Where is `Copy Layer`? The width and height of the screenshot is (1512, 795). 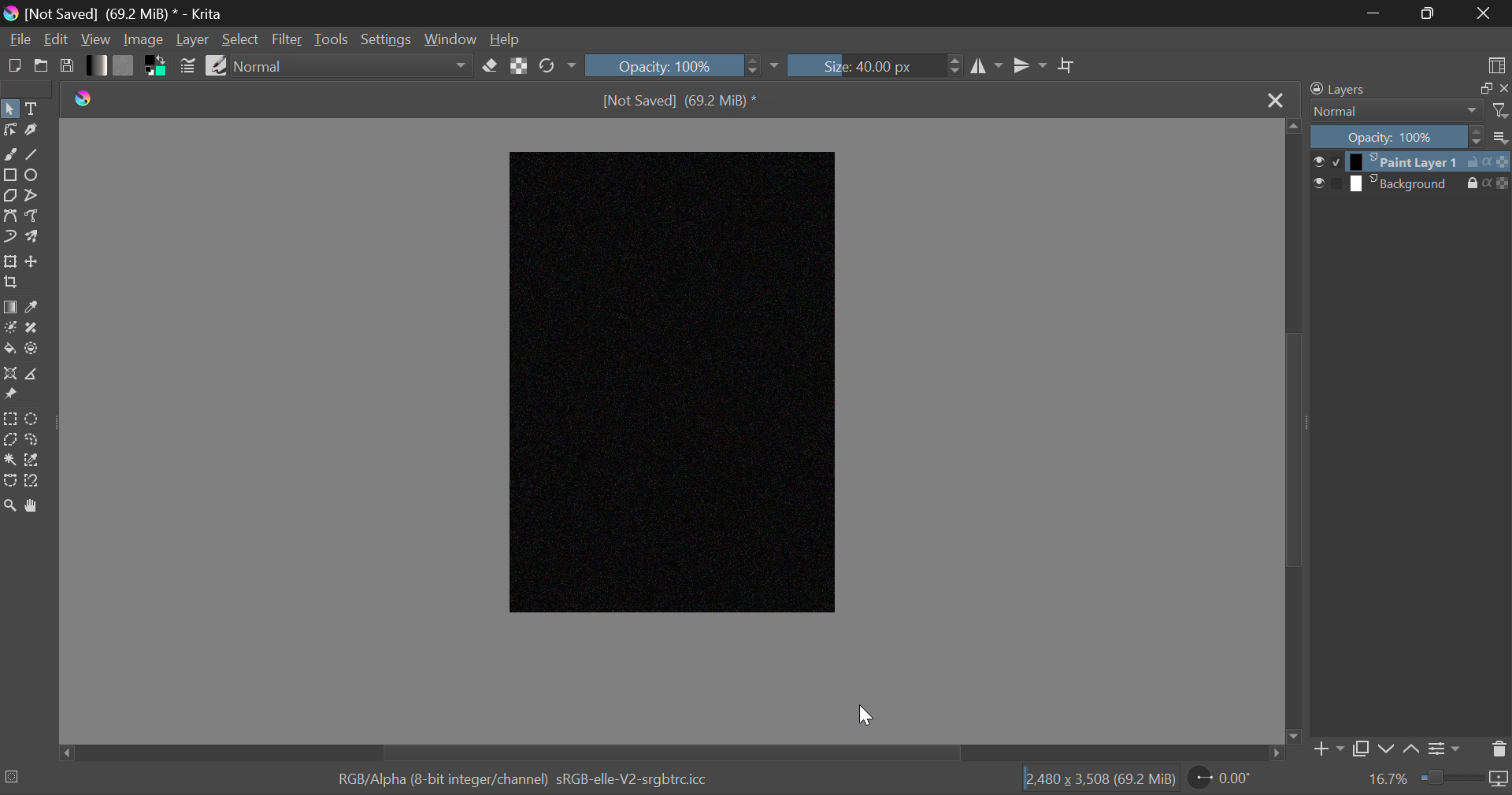 Copy Layer is located at coordinates (1359, 747).